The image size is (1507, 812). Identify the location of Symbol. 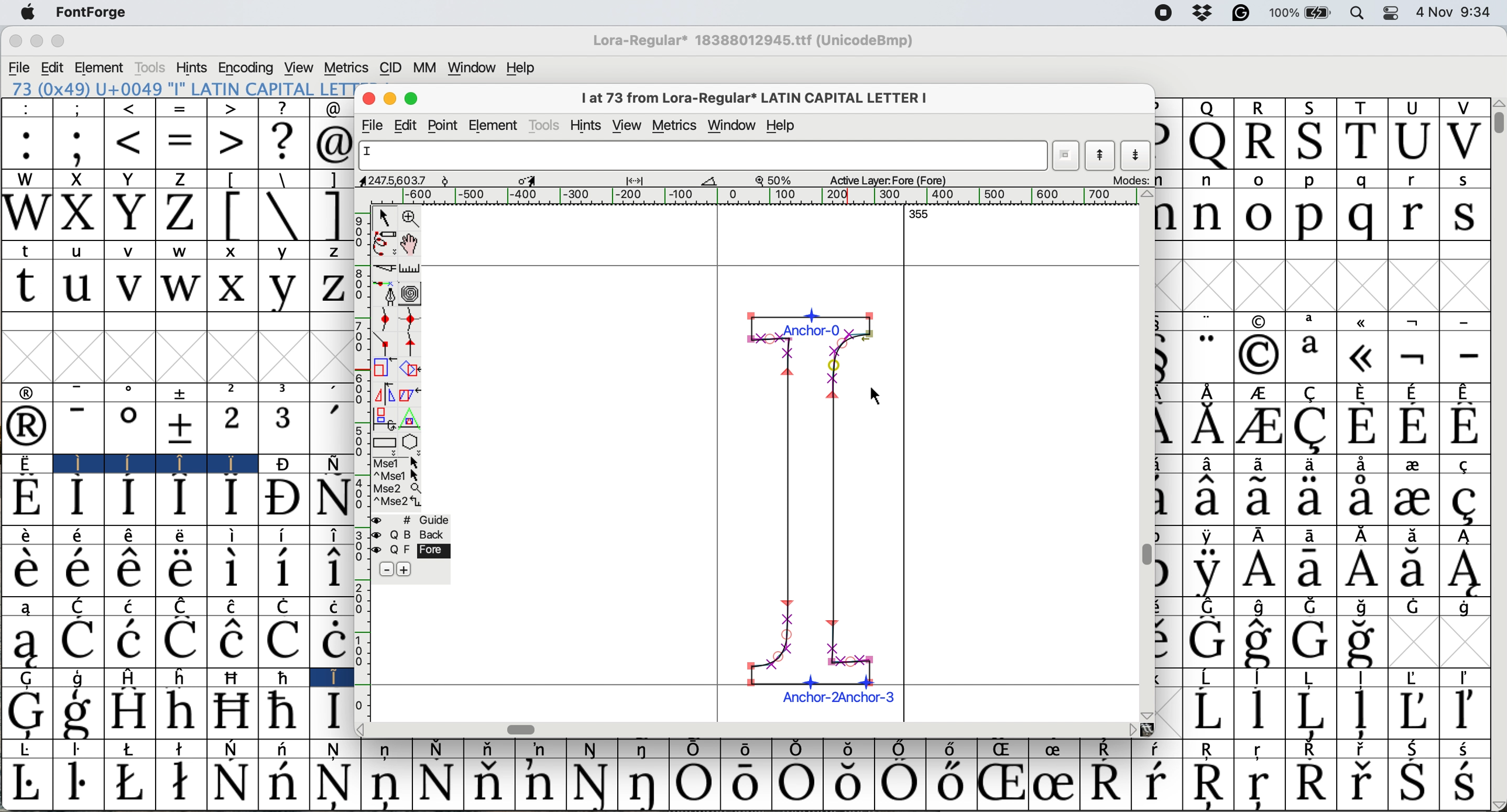
(1360, 356).